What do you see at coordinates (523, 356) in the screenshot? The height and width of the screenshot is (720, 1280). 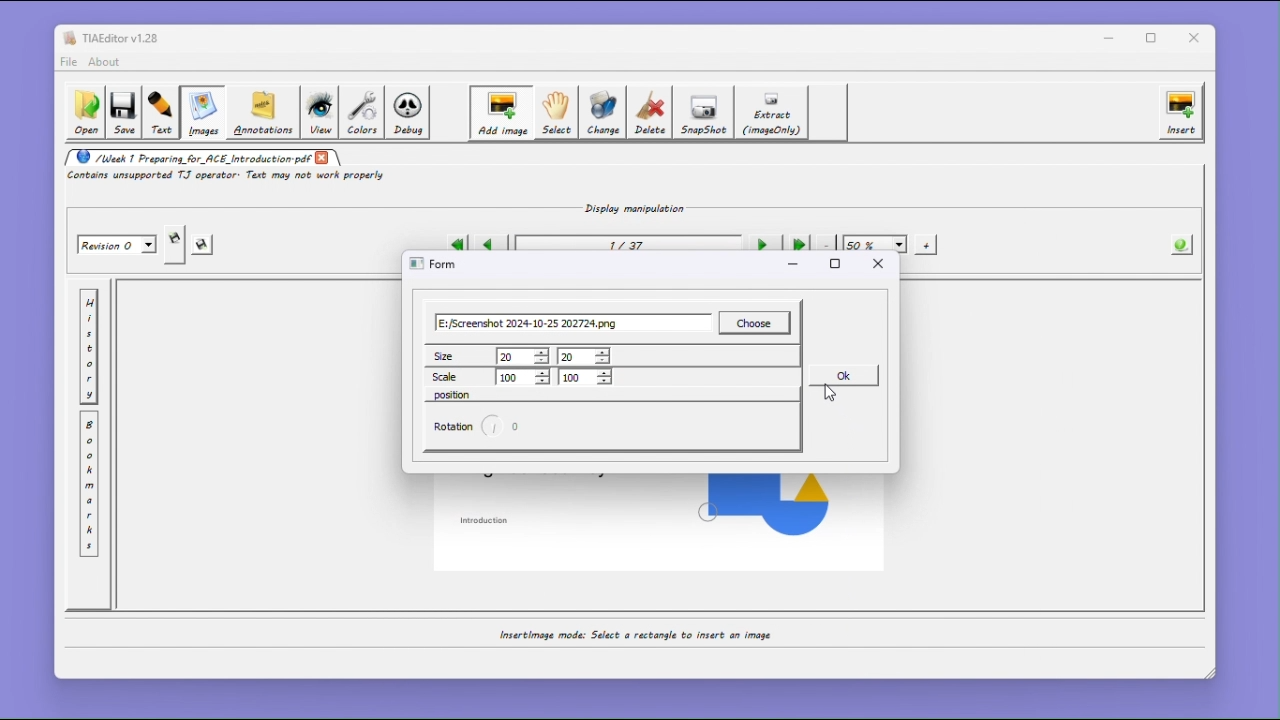 I see `20` at bounding box center [523, 356].